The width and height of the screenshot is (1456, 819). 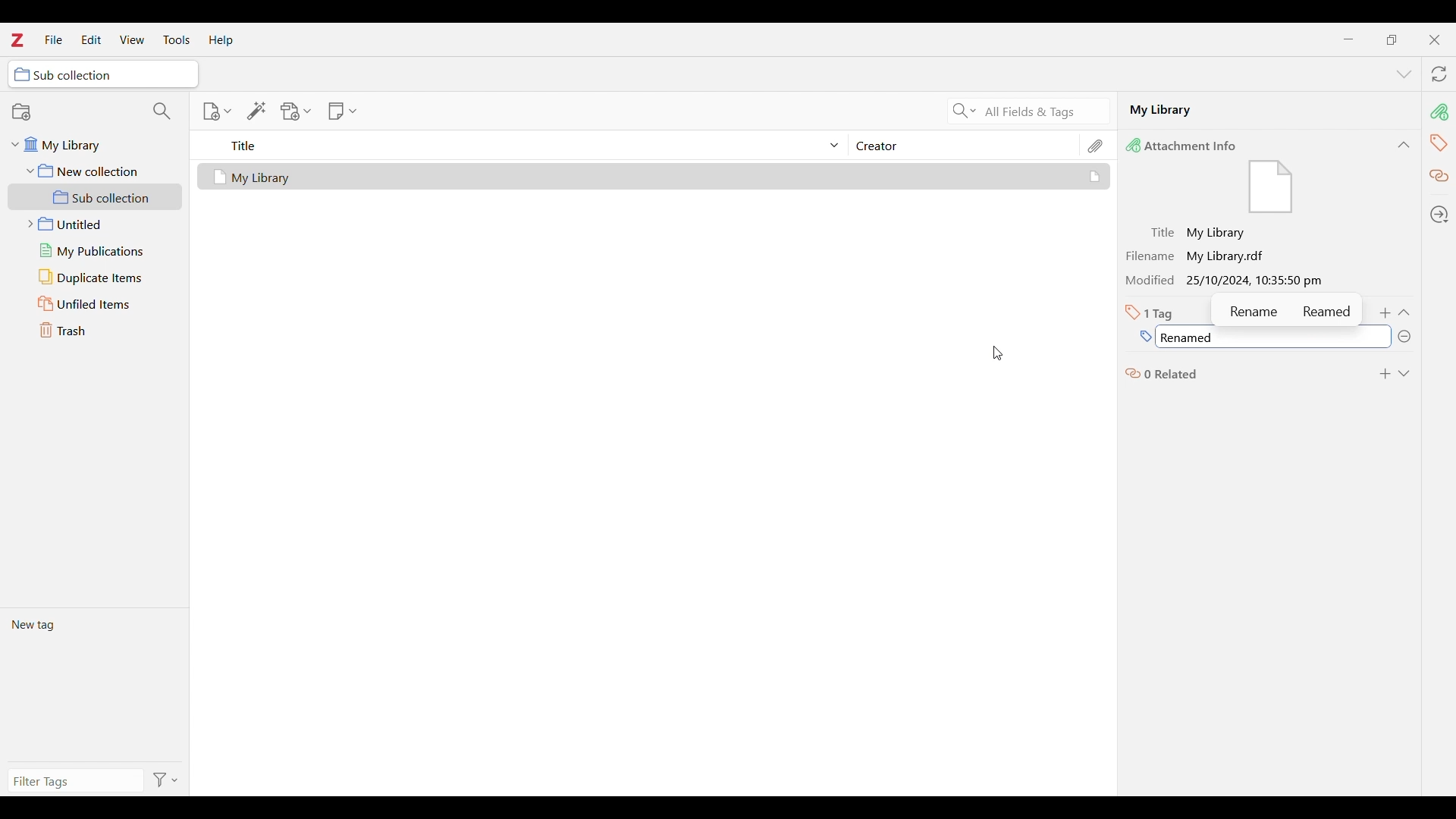 I want to click on Search criteria options, so click(x=965, y=110).